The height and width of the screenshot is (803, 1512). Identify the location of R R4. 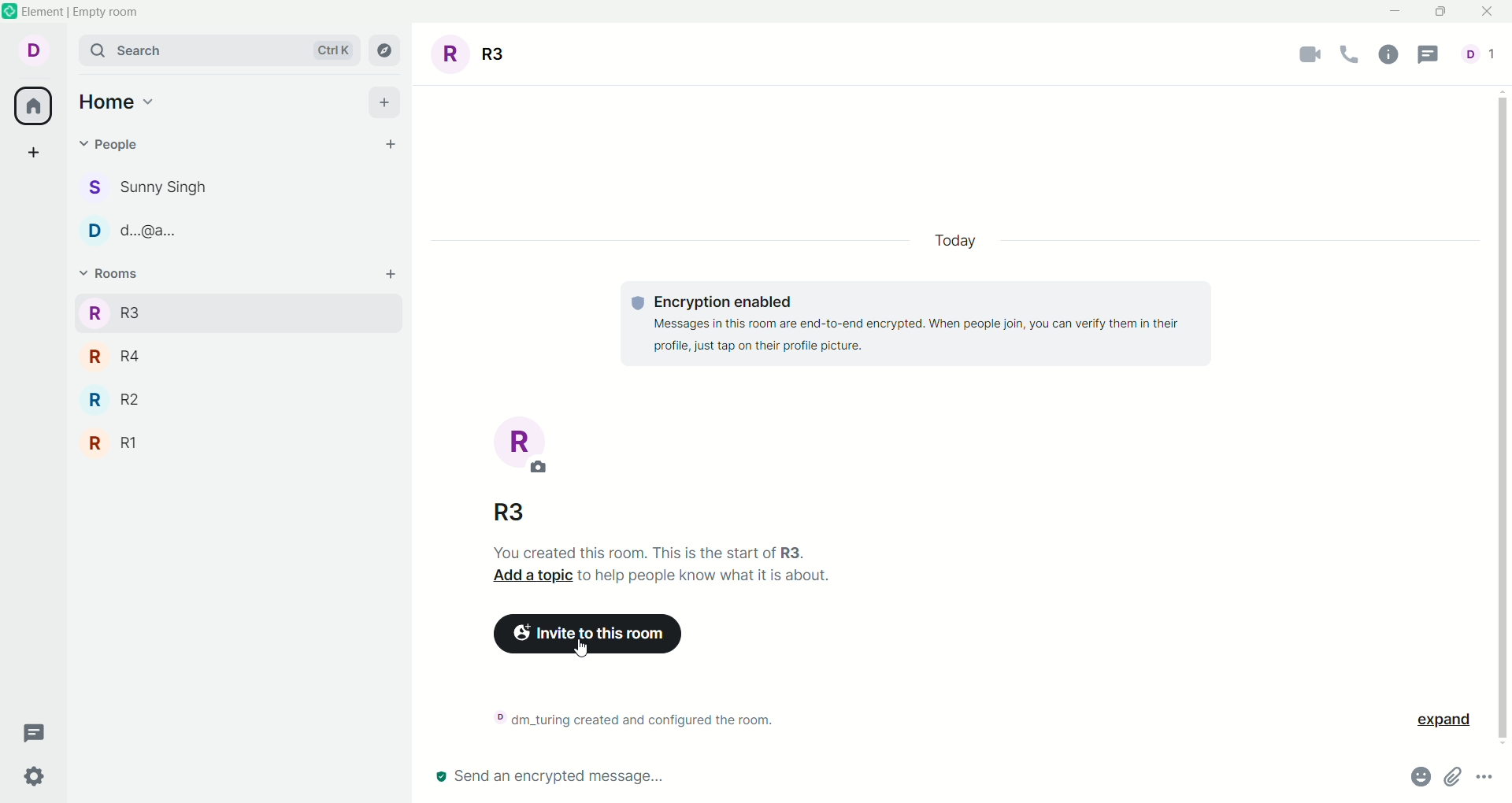
(115, 356).